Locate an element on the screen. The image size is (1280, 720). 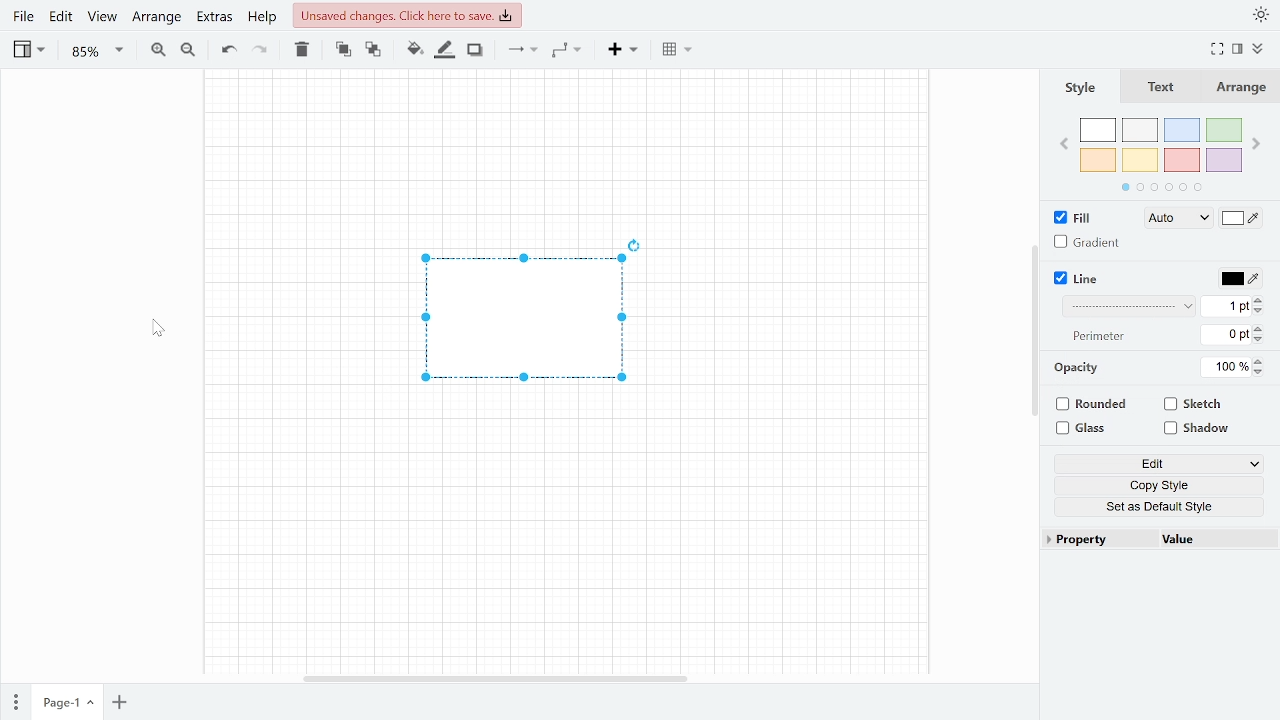
To front is located at coordinates (343, 50).